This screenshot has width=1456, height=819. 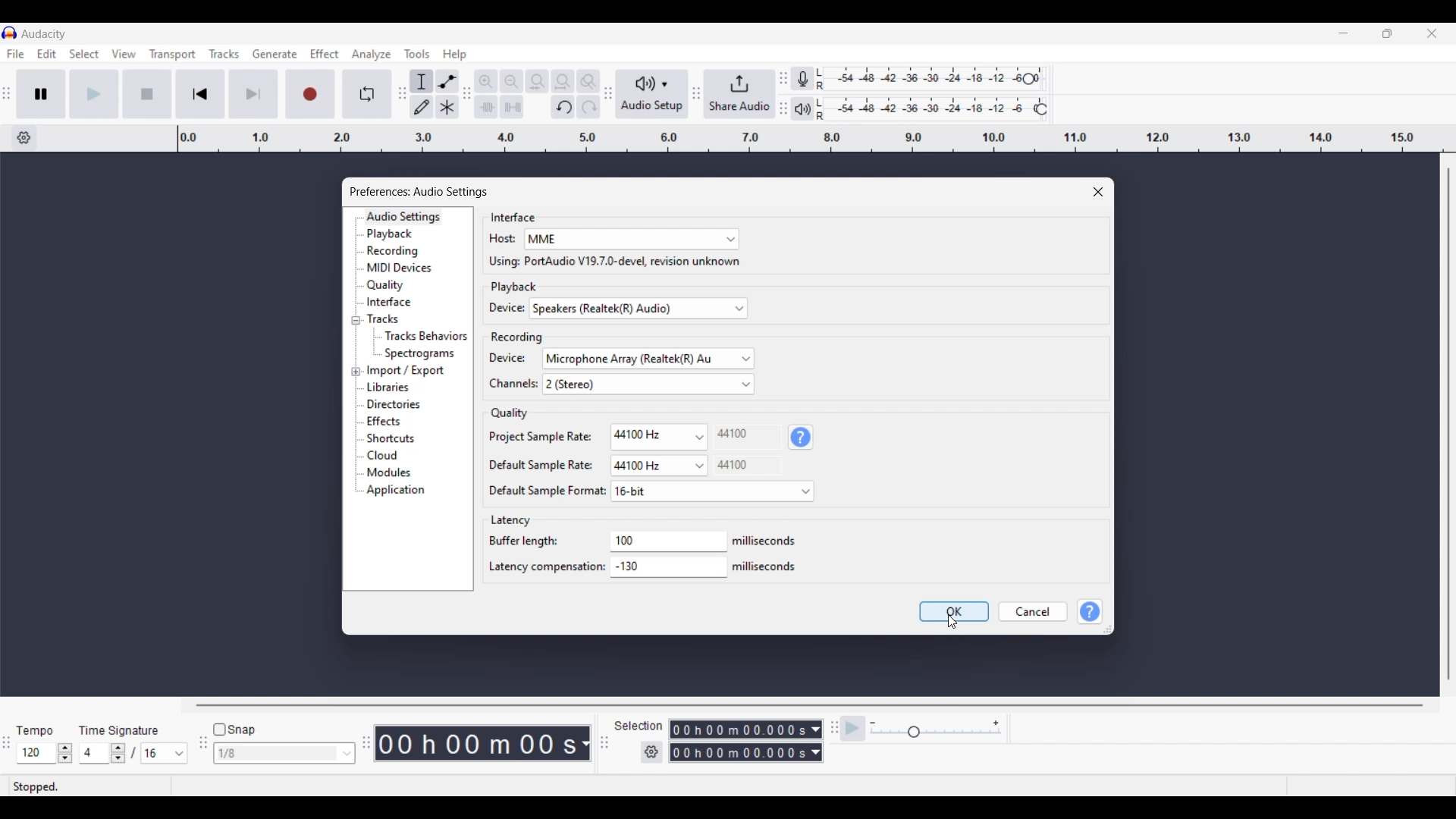 I want to click on Type in latency compensation, so click(x=667, y=566).